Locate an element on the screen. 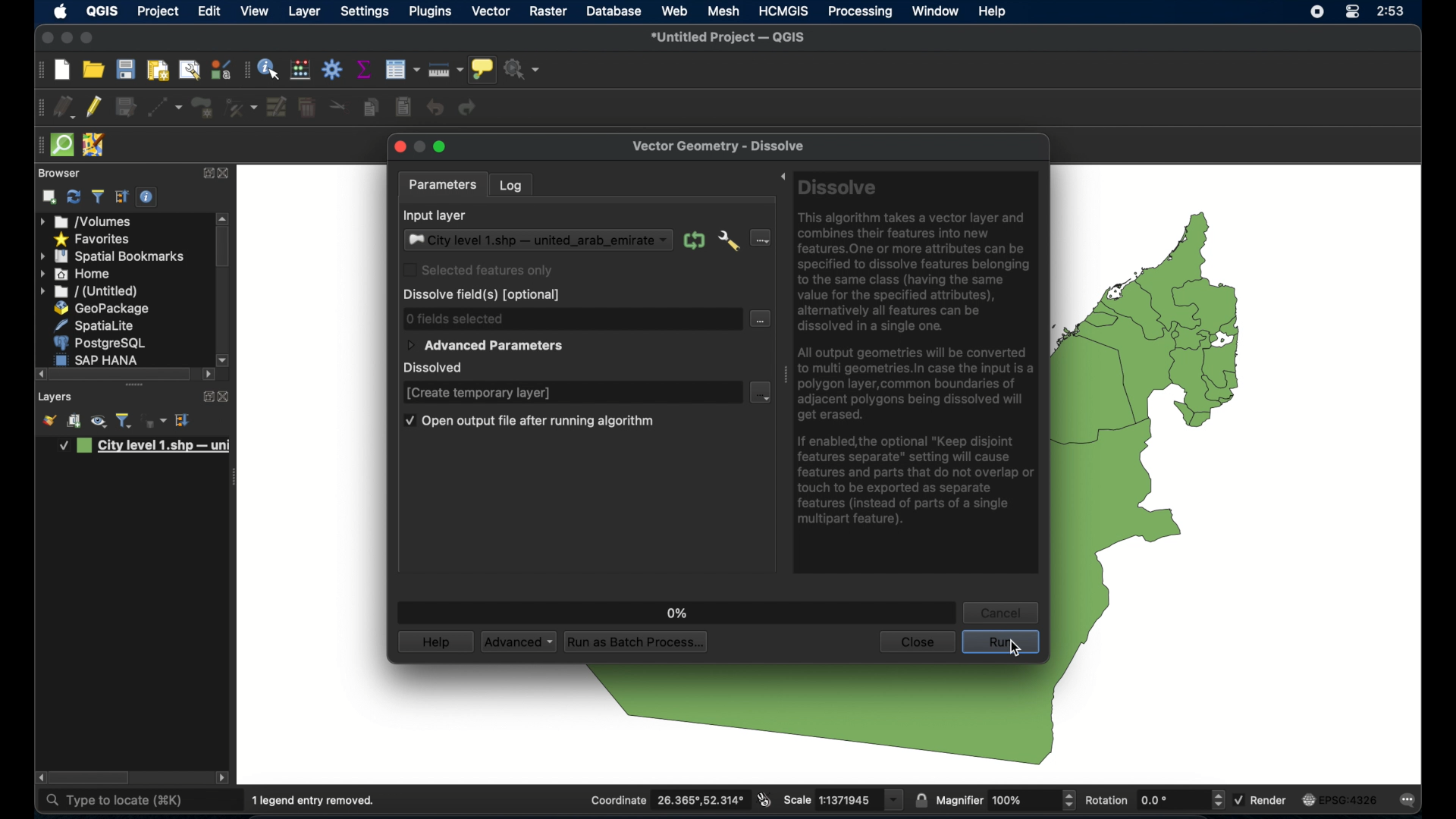 Image resolution: width=1456 pixels, height=819 pixels. scroll right arrow is located at coordinates (209, 375).